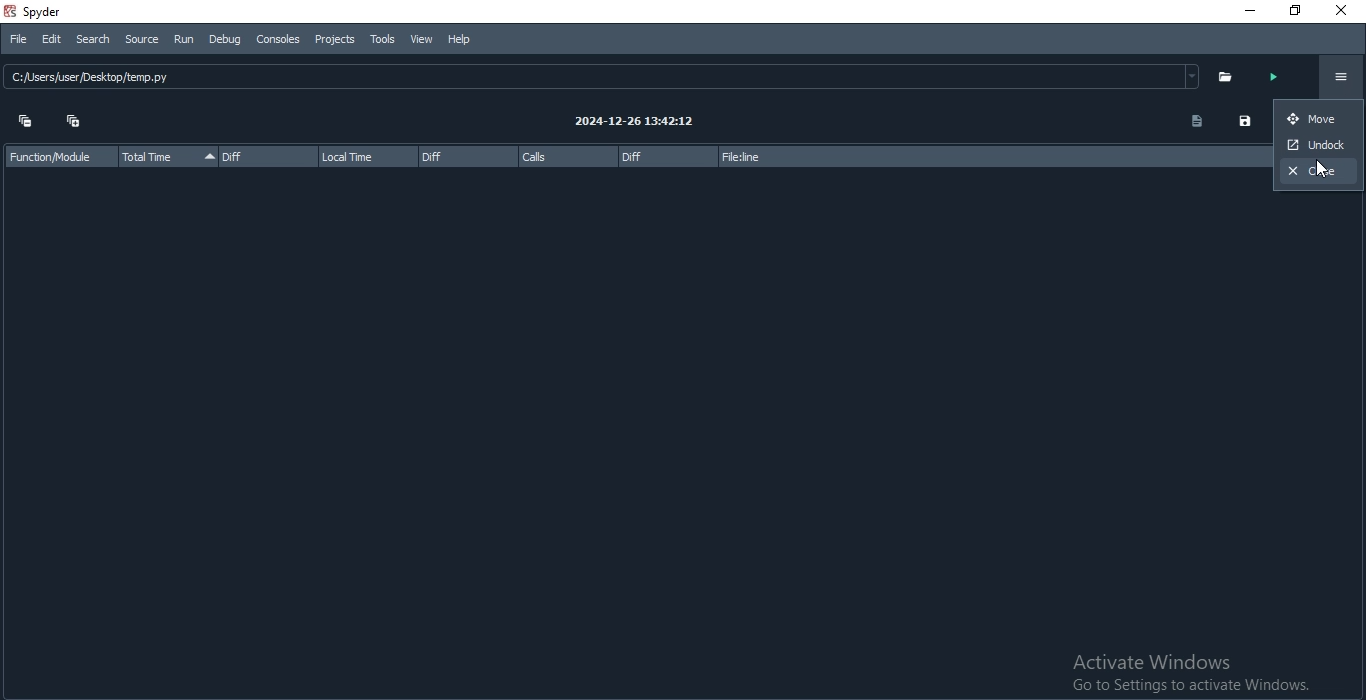 This screenshot has height=700, width=1366. Describe the element at coordinates (462, 39) in the screenshot. I see `Help` at that location.